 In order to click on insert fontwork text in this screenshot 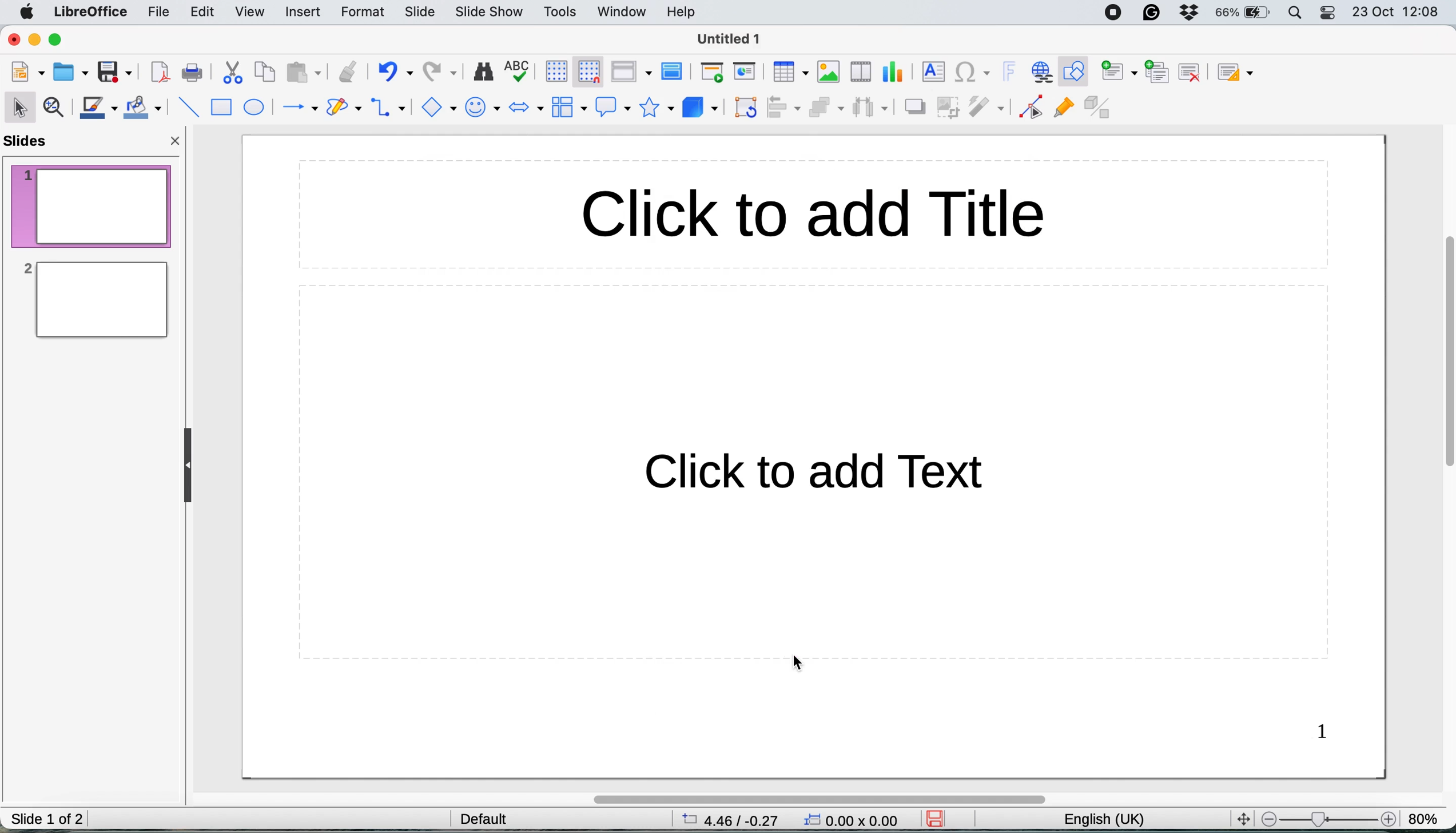, I will do `click(1009, 72)`.